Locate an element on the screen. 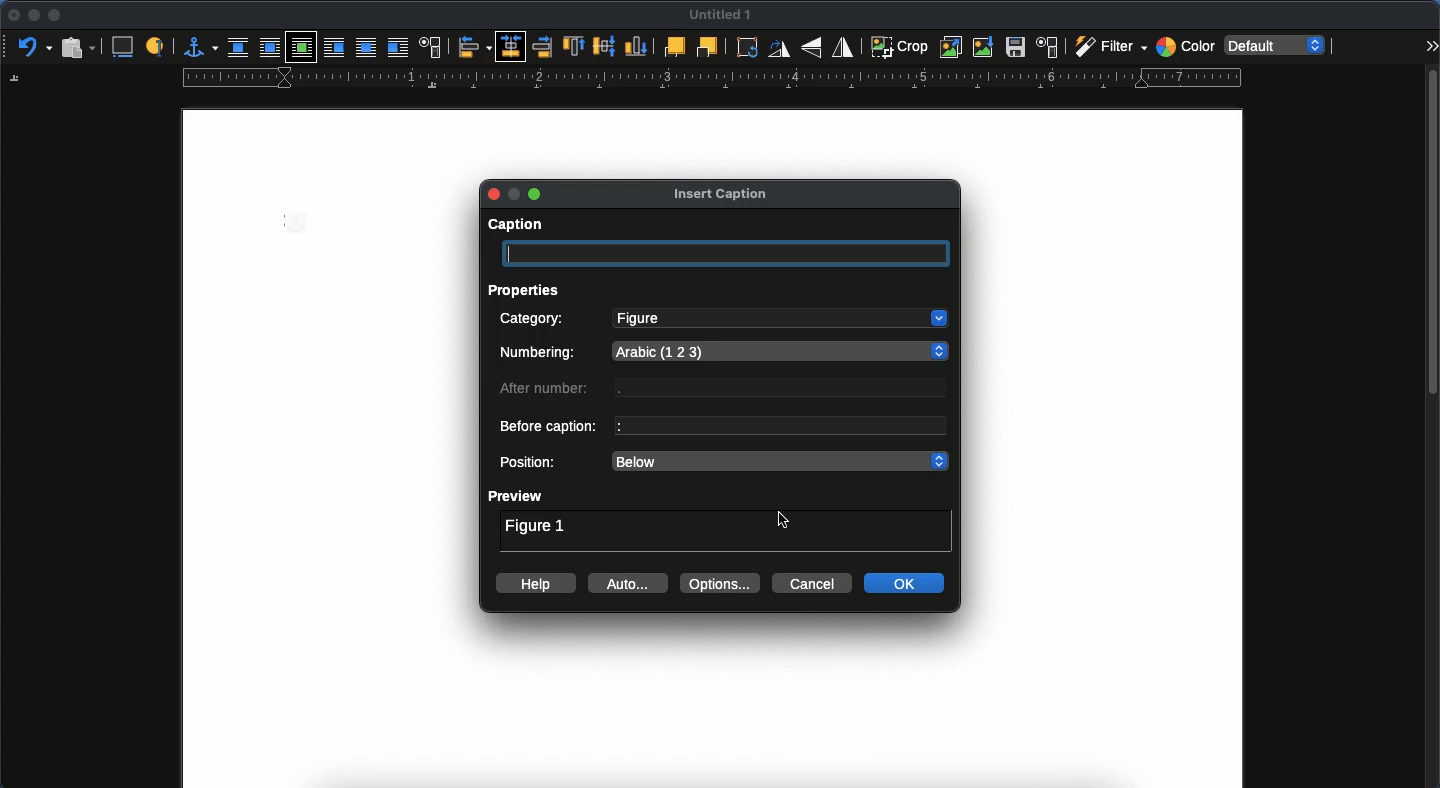 The height and width of the screenshot is (788, 1440). replace is located at coordinates (952, 47).